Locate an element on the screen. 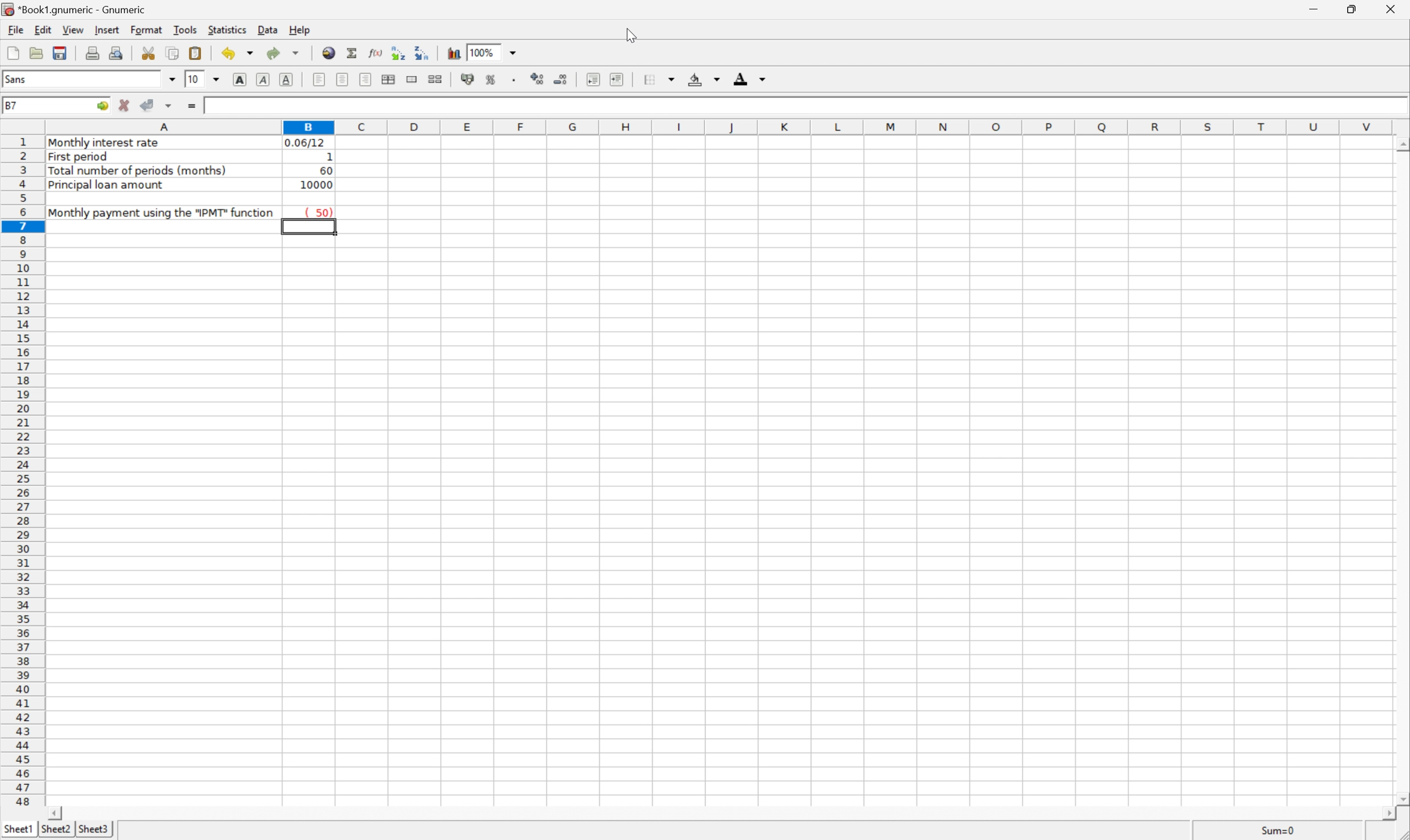 This screenshot has width=1410, height=840. Sans is located at coordinates (16, 79).